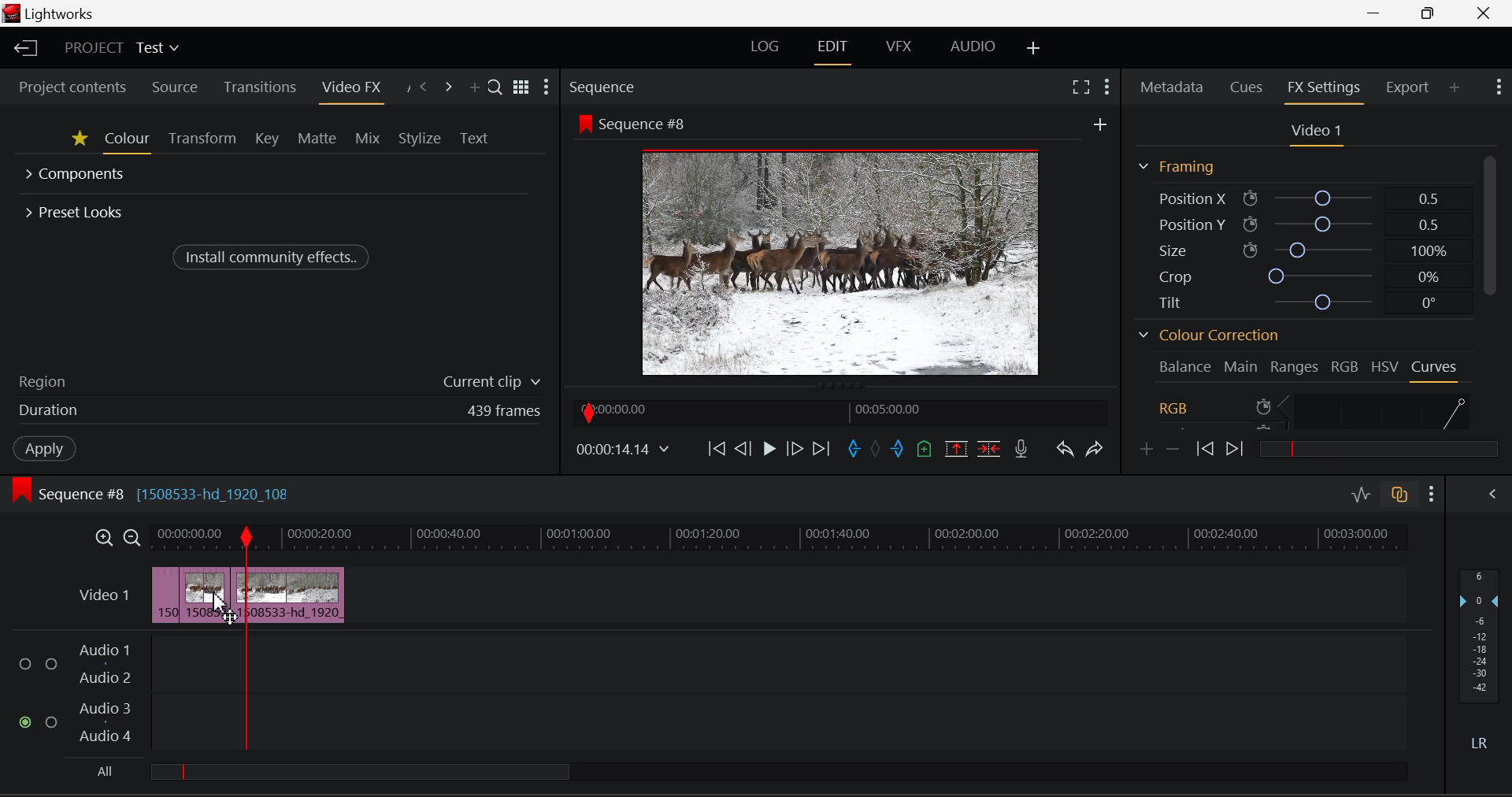 This screenshot has width=1512, height=797. I want to click on Cues, so click(1247, 87).